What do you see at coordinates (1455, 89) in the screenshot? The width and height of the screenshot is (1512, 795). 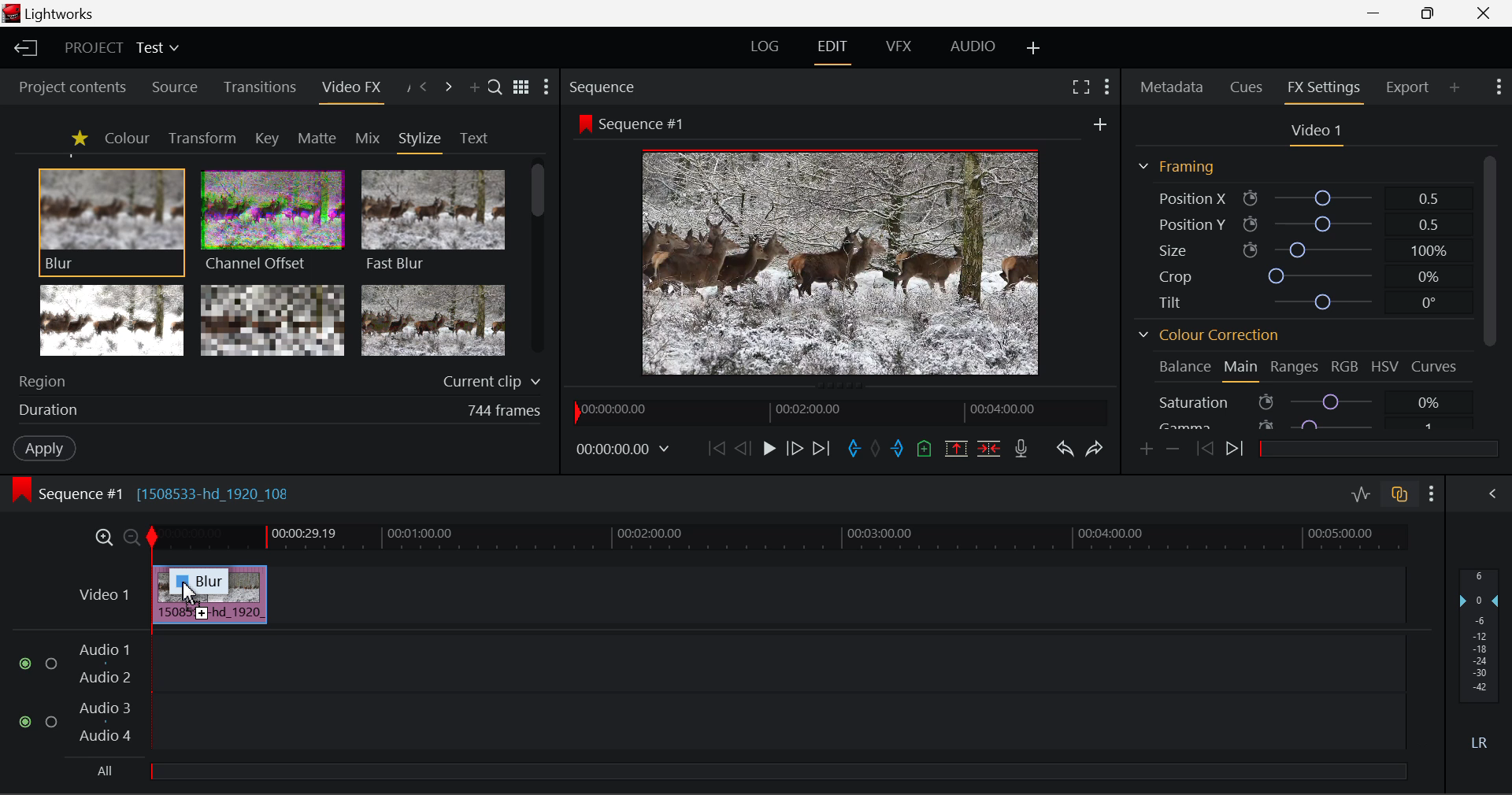 I see `Add Panel` at bounding box center [1455, 89].